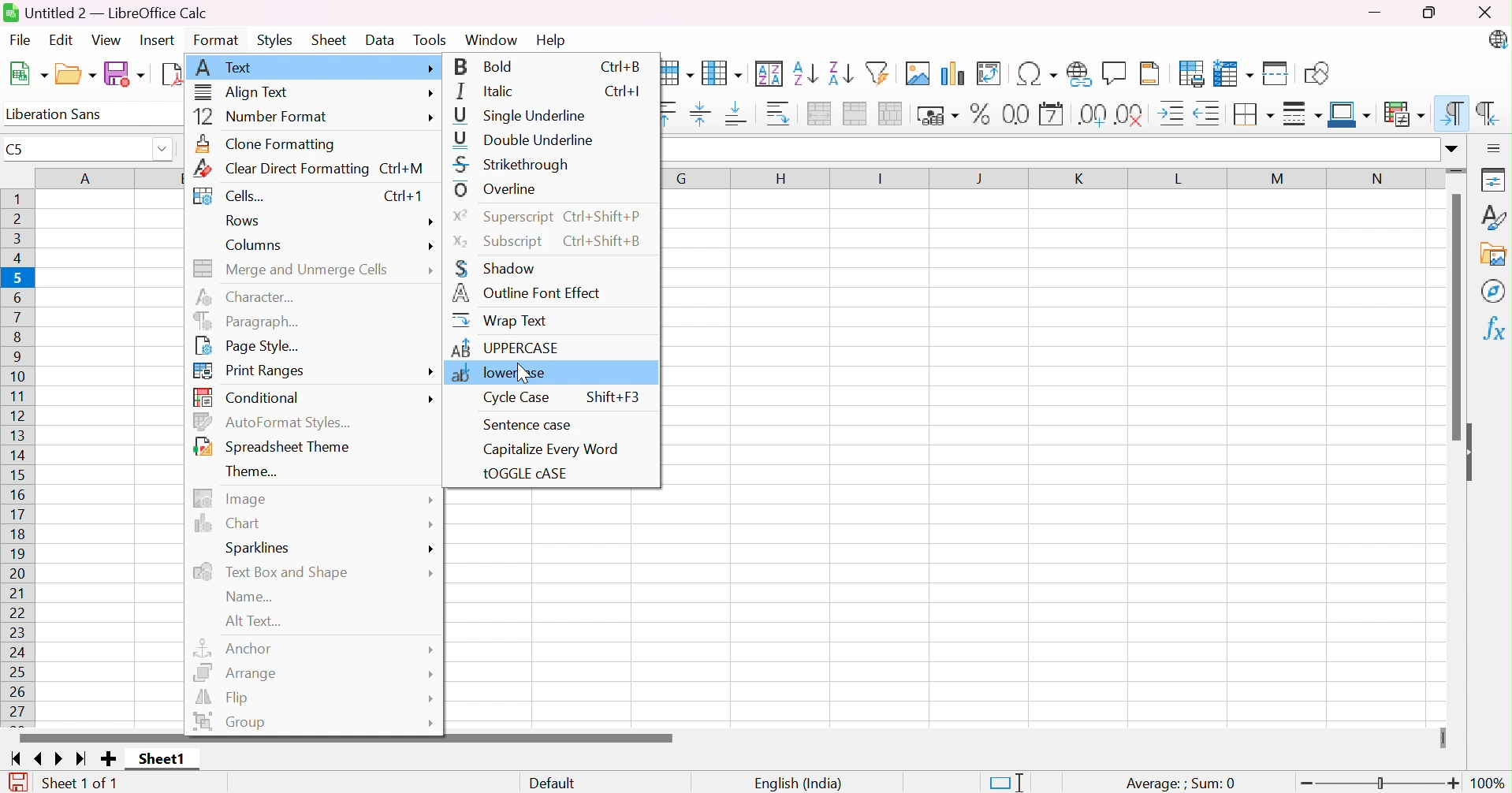  I want to click on More, so click(434, 650).